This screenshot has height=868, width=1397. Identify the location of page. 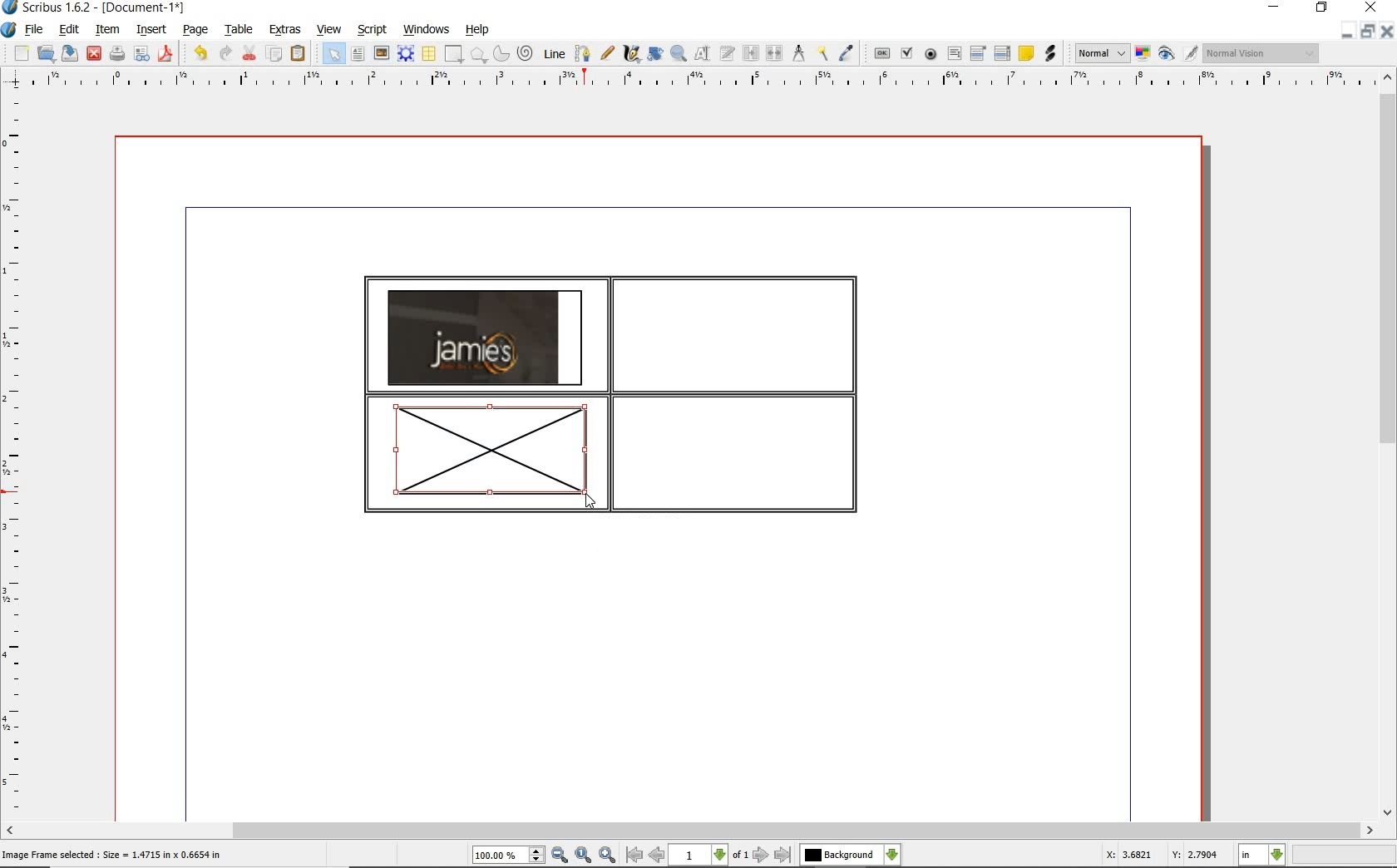
(195, 31).